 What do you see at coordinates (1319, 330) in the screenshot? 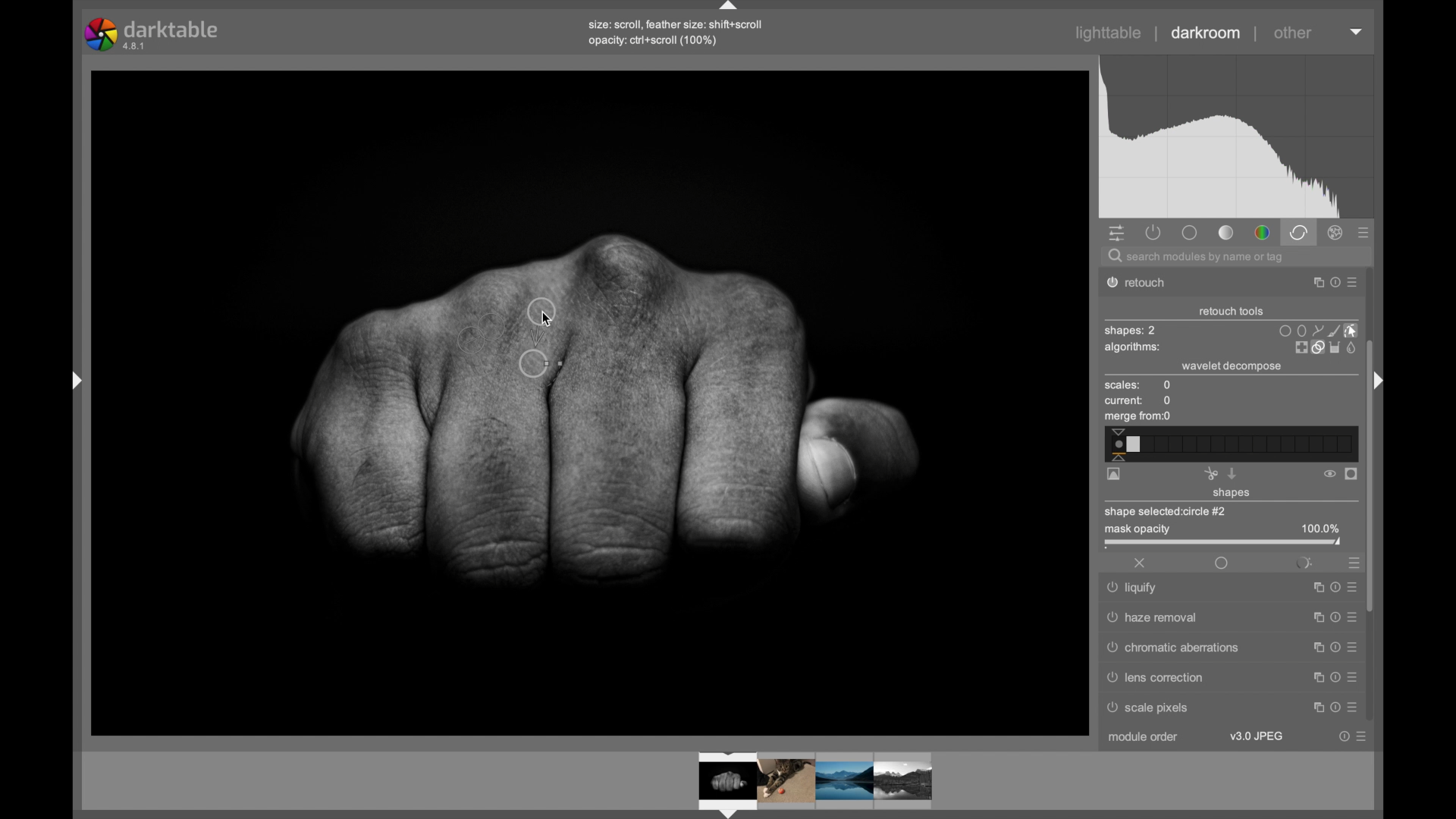
I see `draw mask options` at bounding box center [1319, 330].